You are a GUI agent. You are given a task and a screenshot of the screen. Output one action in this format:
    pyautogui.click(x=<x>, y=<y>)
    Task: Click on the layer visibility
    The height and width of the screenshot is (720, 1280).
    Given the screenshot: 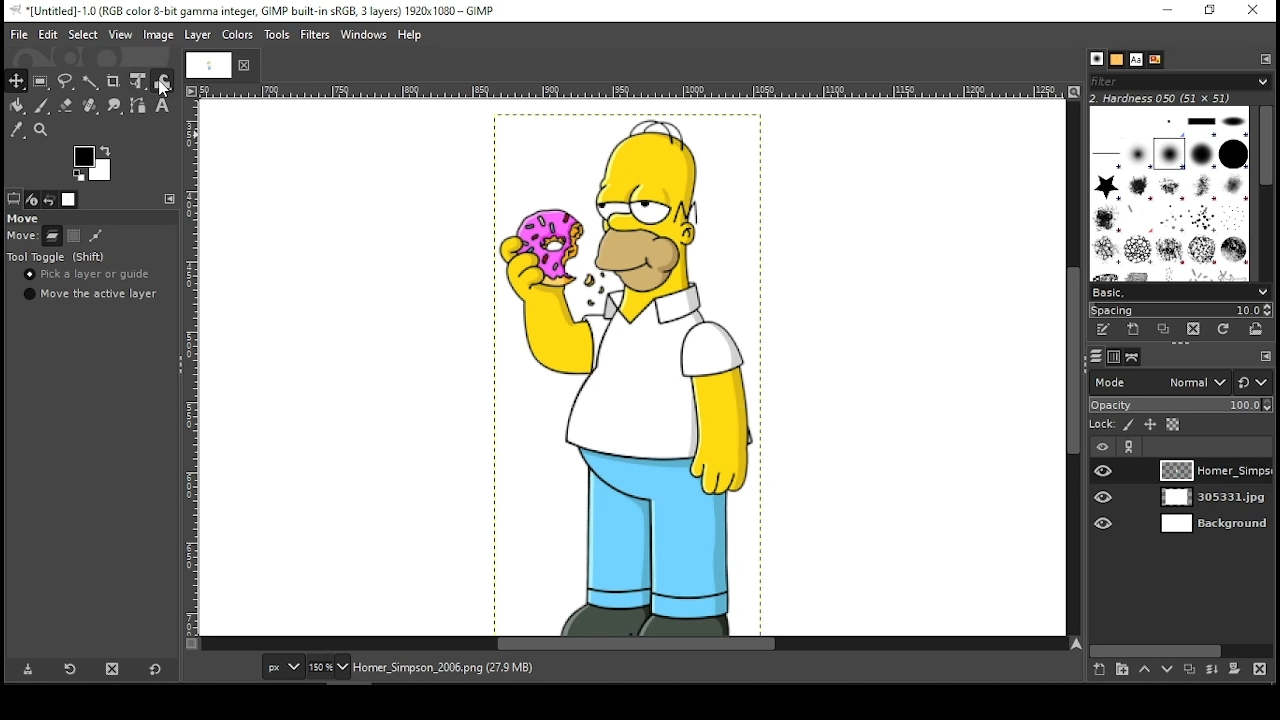 What is the action you would take?
    pyautogui.click(x=1101, y=446)
    